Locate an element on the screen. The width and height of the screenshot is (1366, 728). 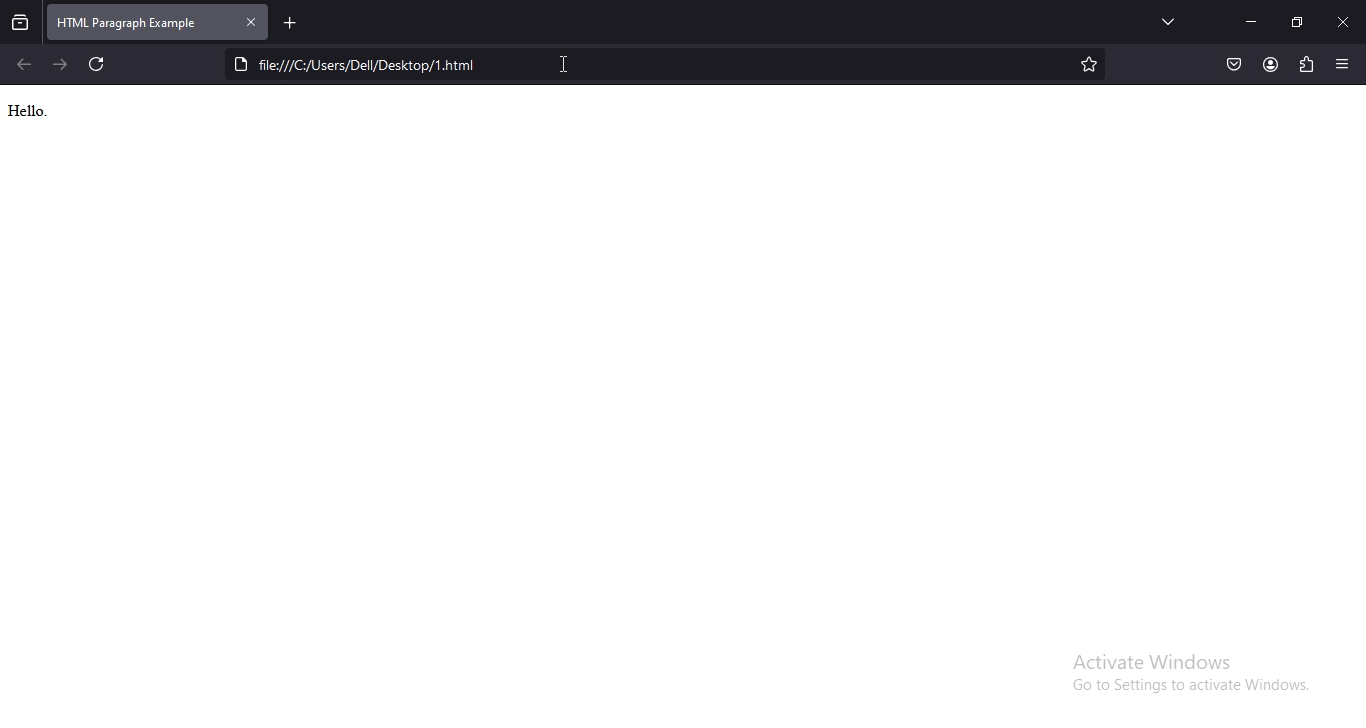
Activate Windows is located at coordinates (1157, 661).